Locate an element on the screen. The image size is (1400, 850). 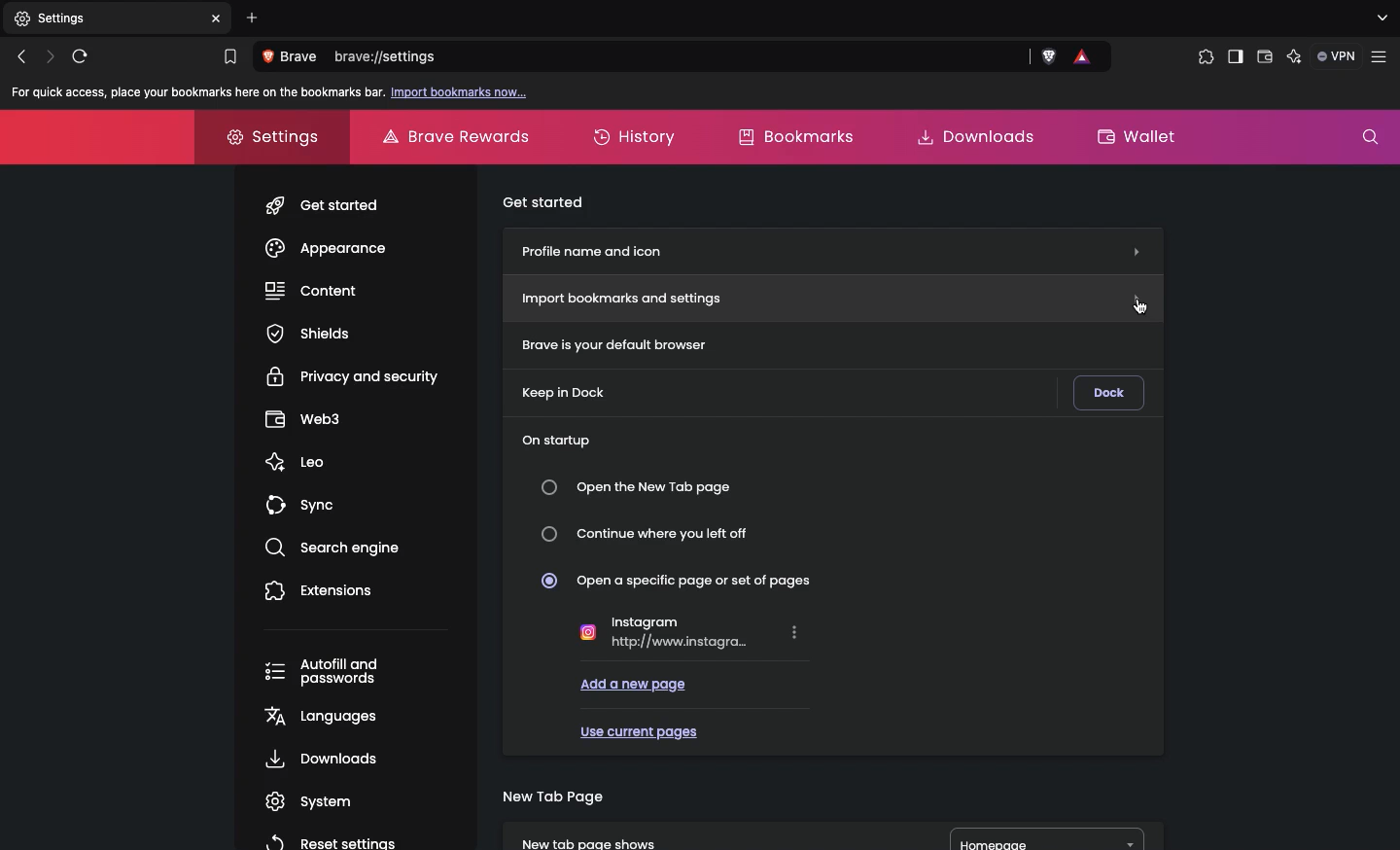
cursor is located at coordinates (1140, 304).